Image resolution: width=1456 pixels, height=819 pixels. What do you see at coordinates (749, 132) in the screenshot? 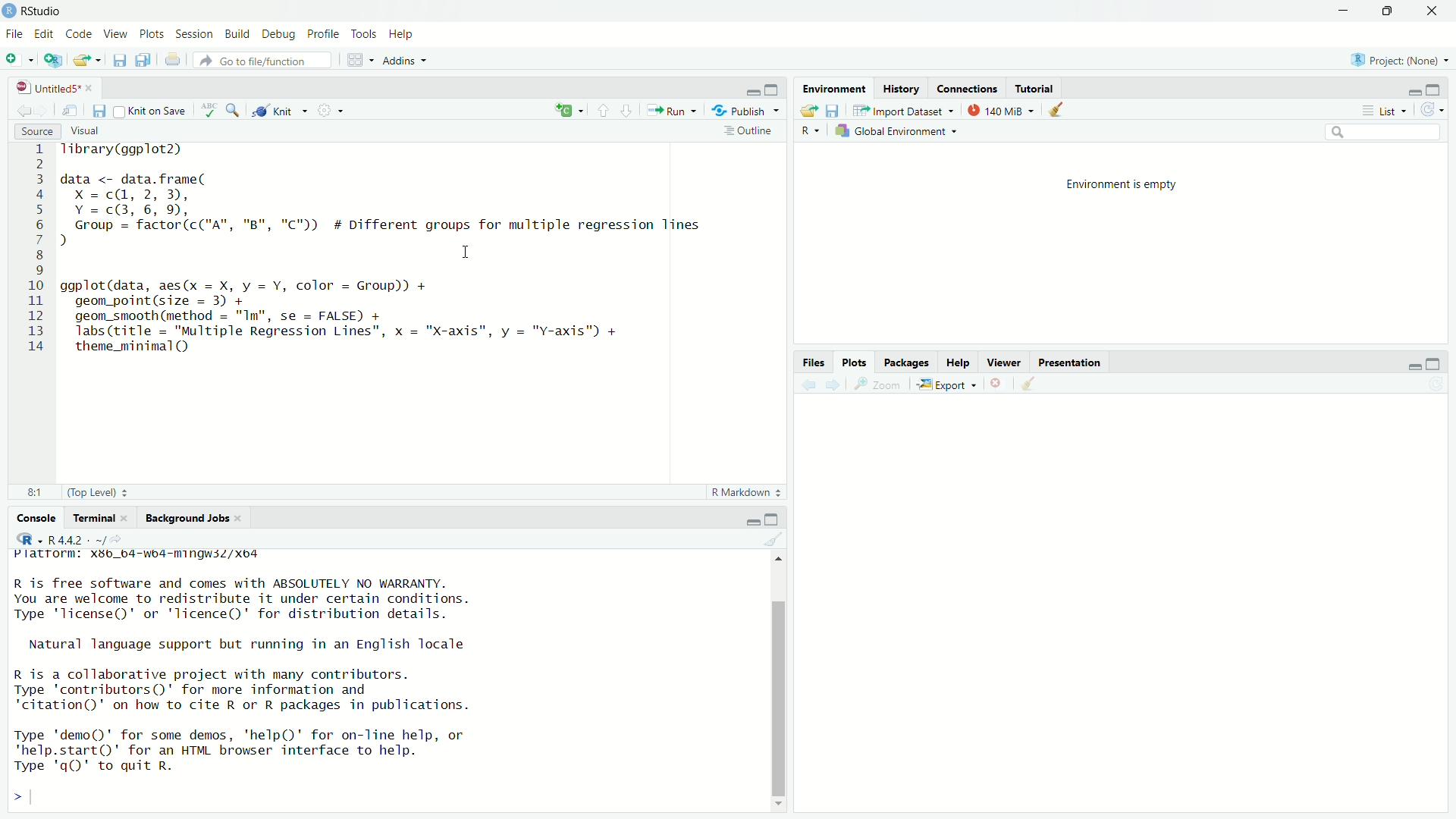
I see `Outline` at bounding box center [749, 132].